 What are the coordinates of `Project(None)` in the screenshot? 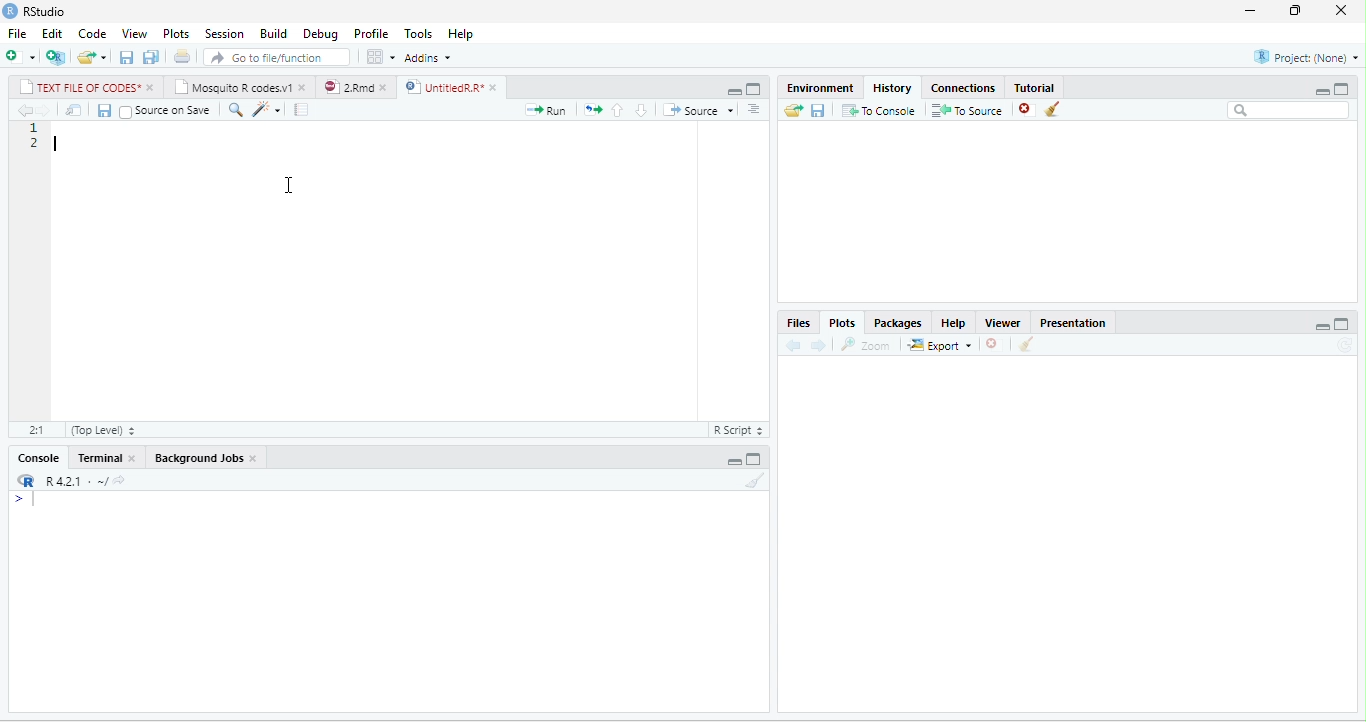 It's located at (1307, 57).